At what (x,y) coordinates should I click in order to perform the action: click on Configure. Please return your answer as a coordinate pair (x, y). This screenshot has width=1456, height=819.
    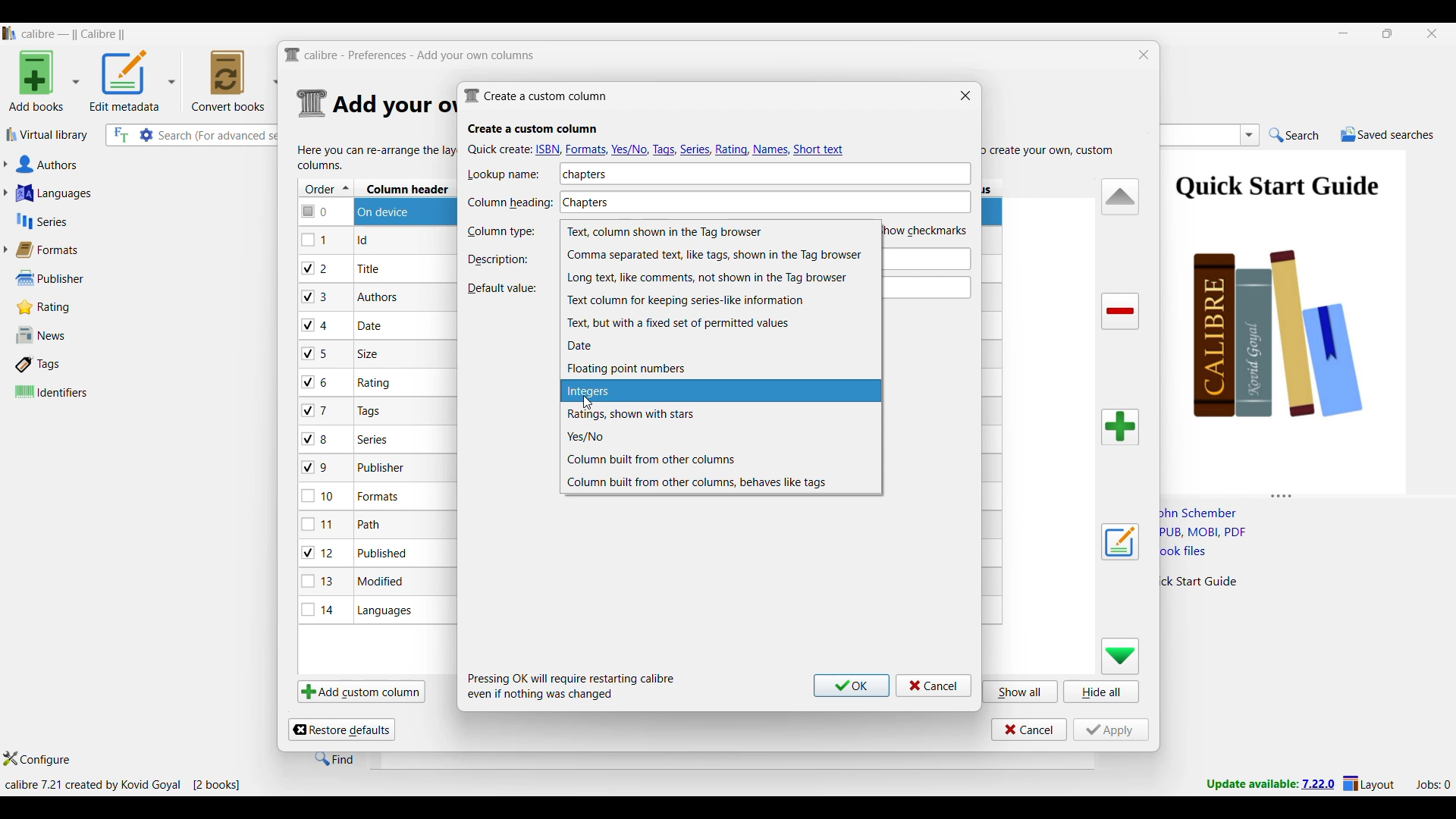
    Looking at the image, I should click on (37, 758).